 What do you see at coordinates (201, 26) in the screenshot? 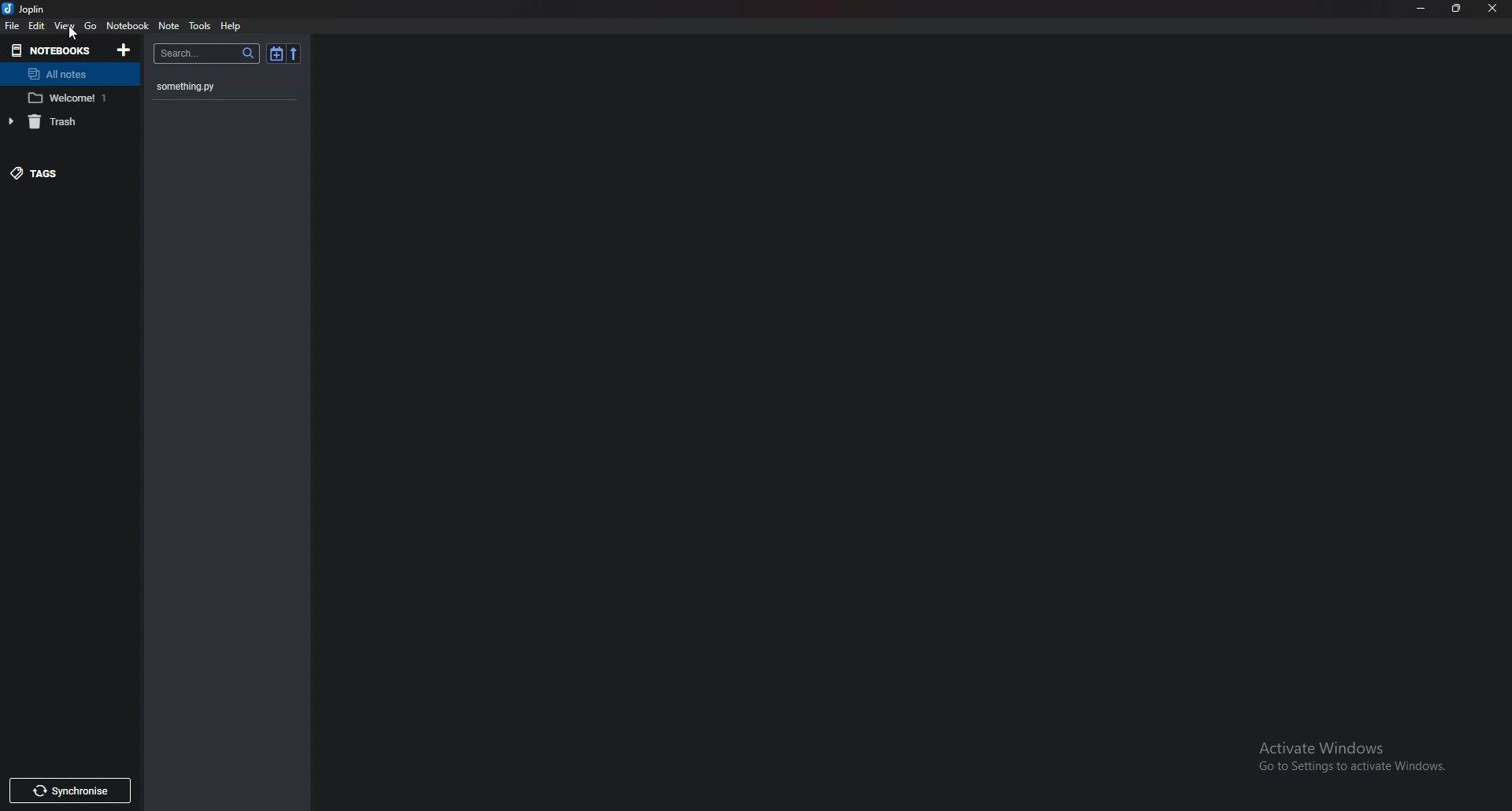
I see `Tools` at bounding box center [201, 26].